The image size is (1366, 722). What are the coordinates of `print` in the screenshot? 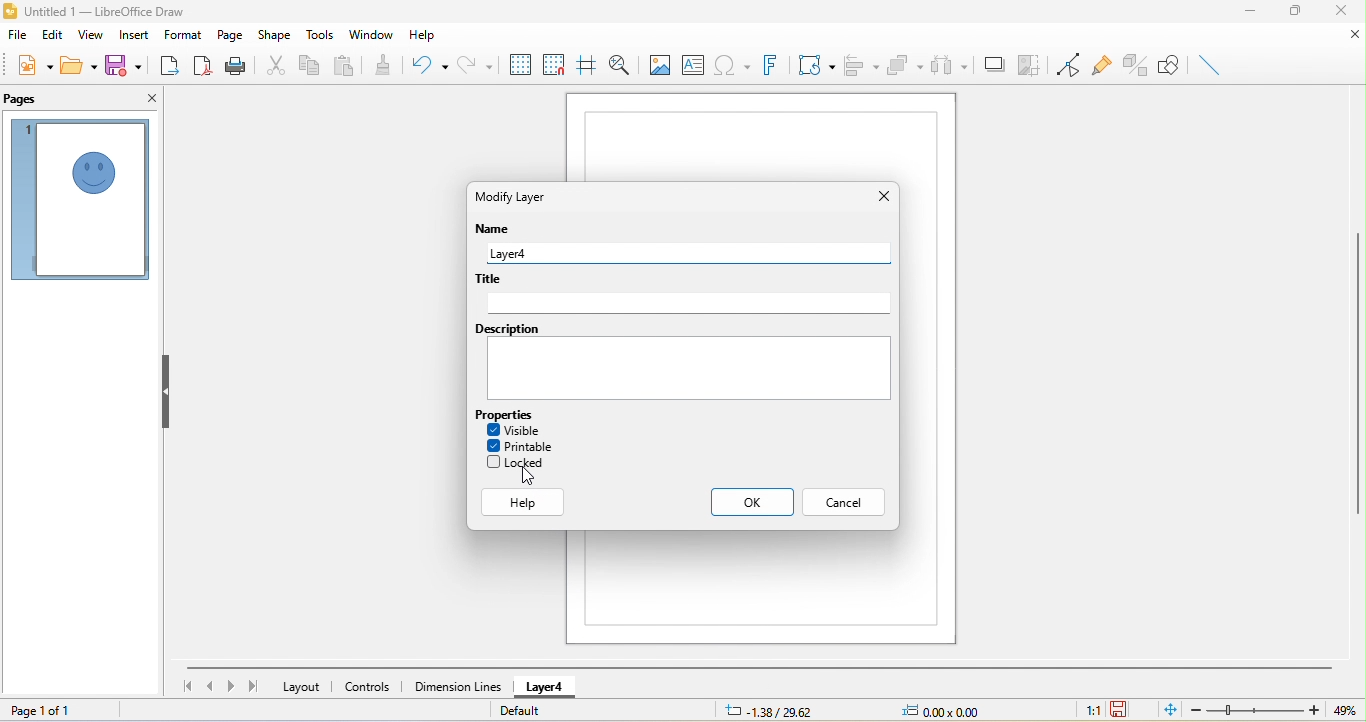 It's located at (236, 65).